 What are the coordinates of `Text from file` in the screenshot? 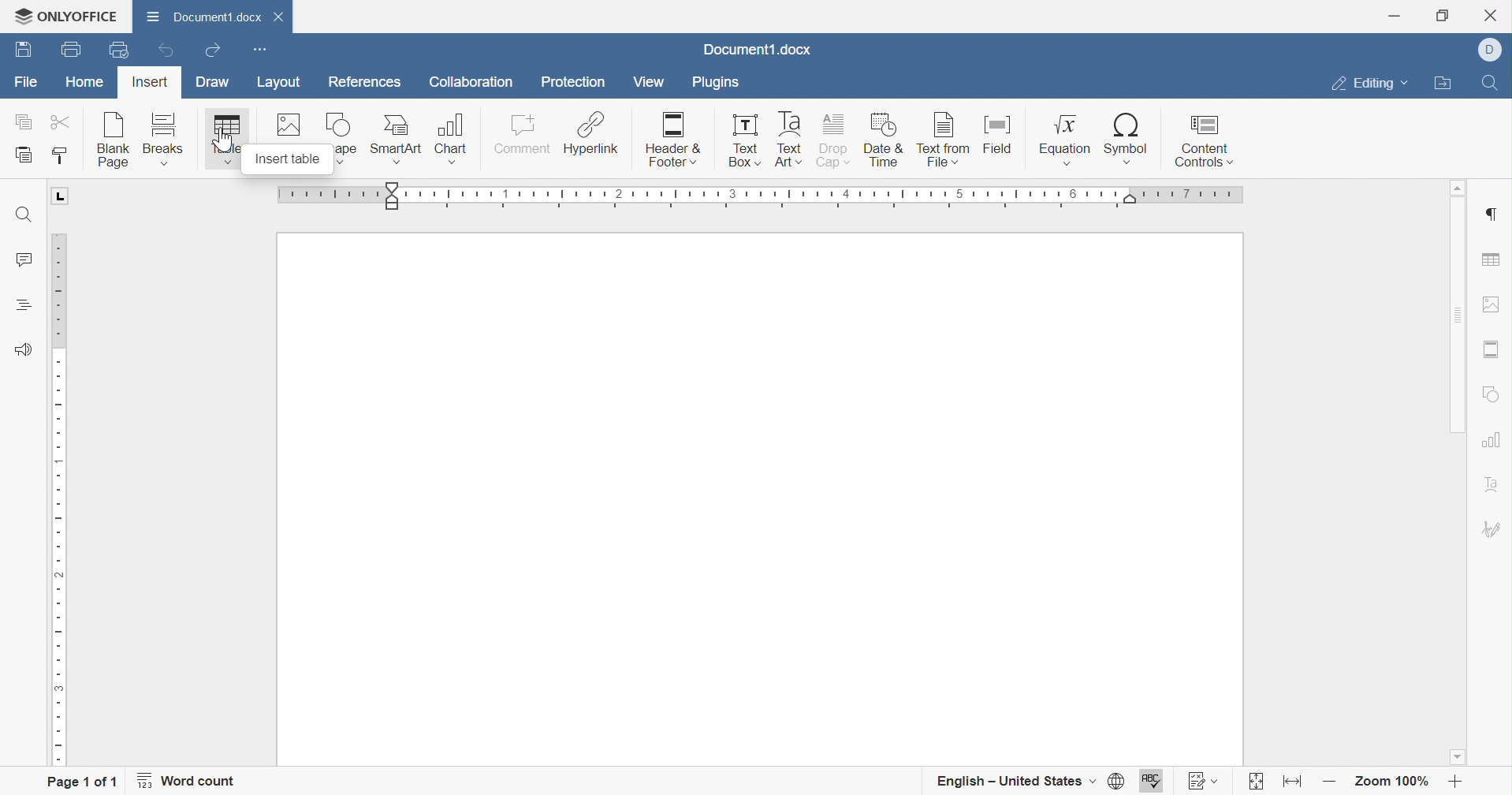 It's located at (944, 139).